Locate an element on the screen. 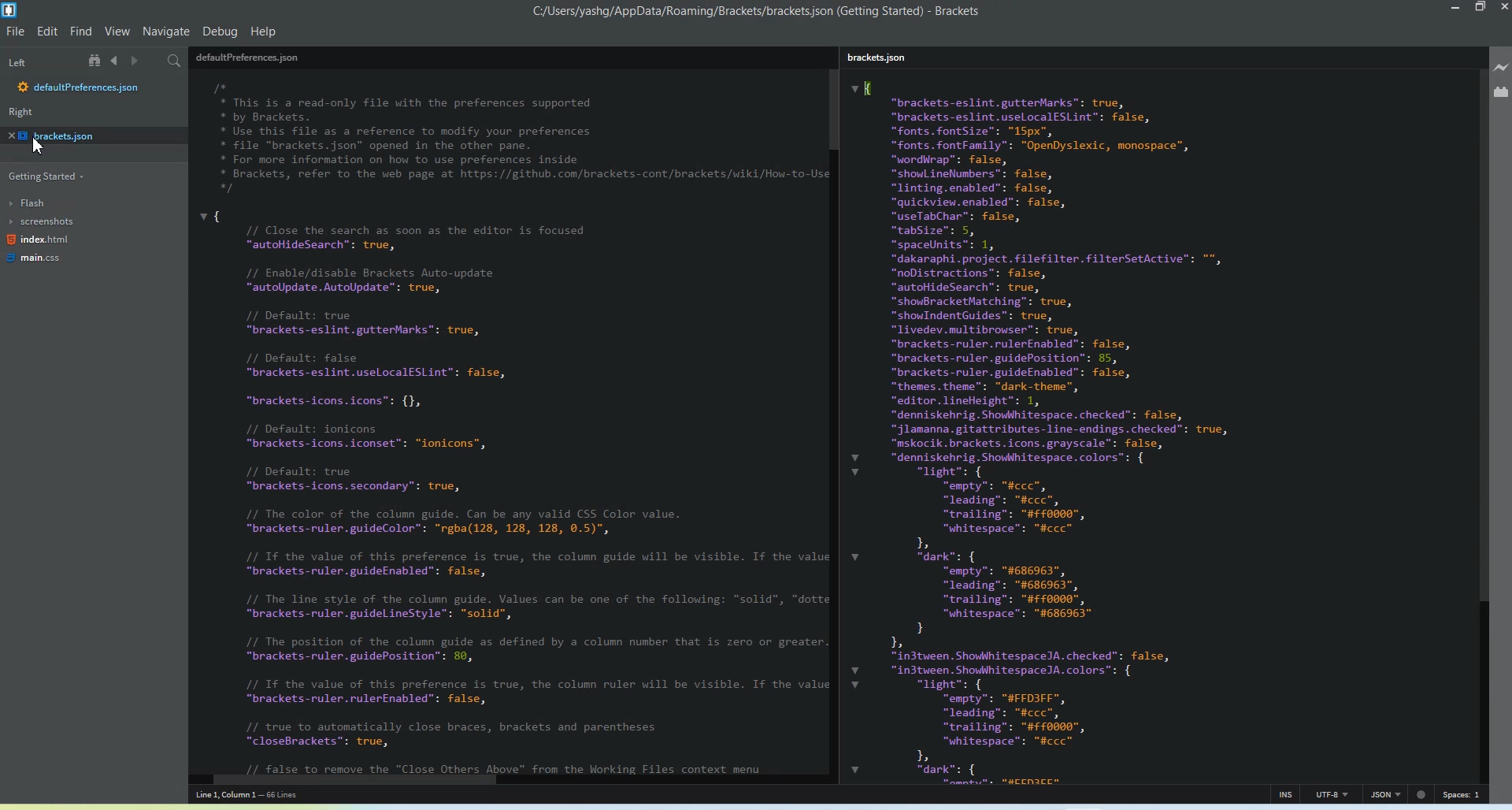 This screenshot has height=810, width=1512. screenshots is located at coordinates (43, 223).